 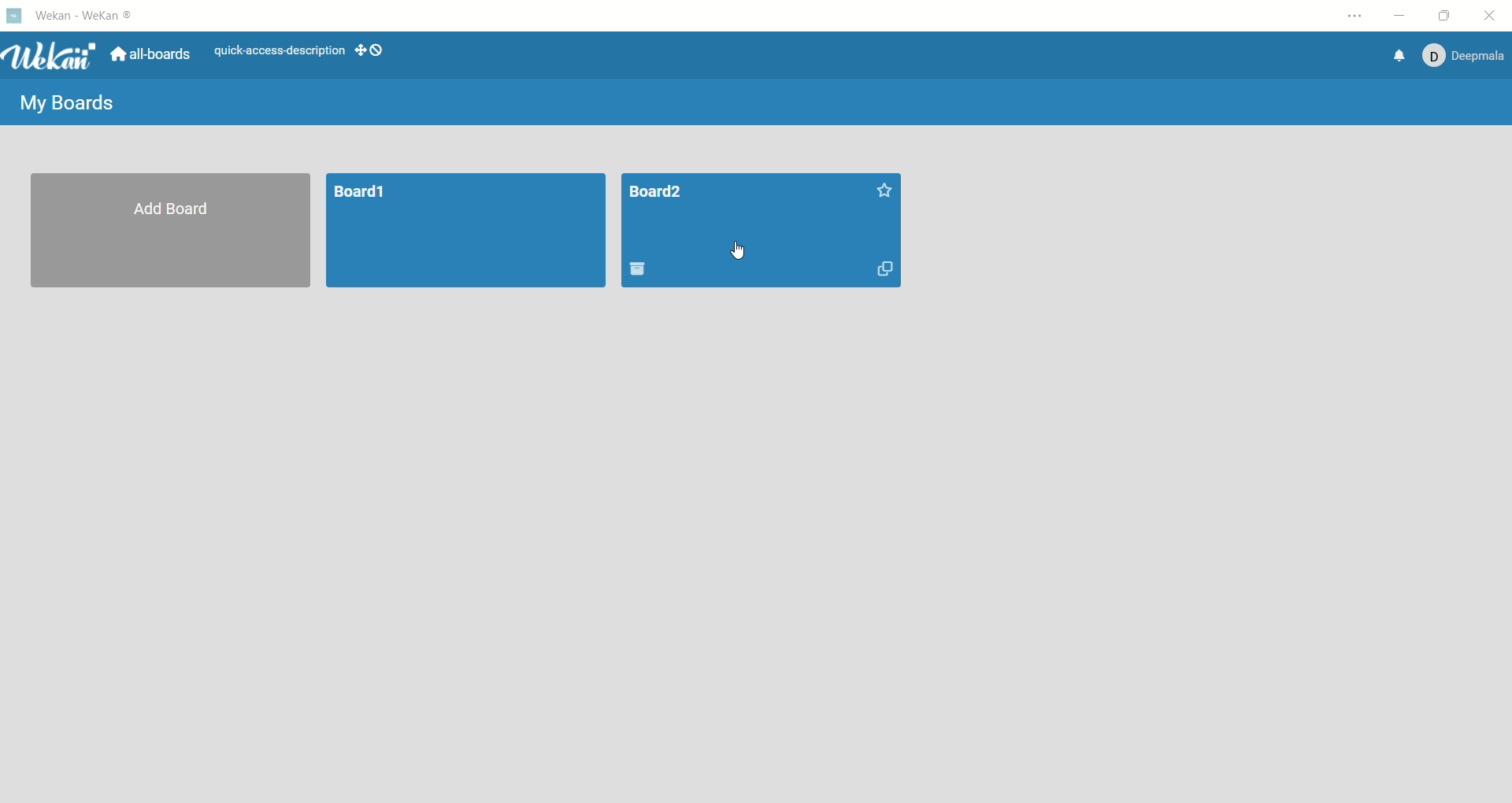 I want to click on all boards, so click(x=152, y=52).